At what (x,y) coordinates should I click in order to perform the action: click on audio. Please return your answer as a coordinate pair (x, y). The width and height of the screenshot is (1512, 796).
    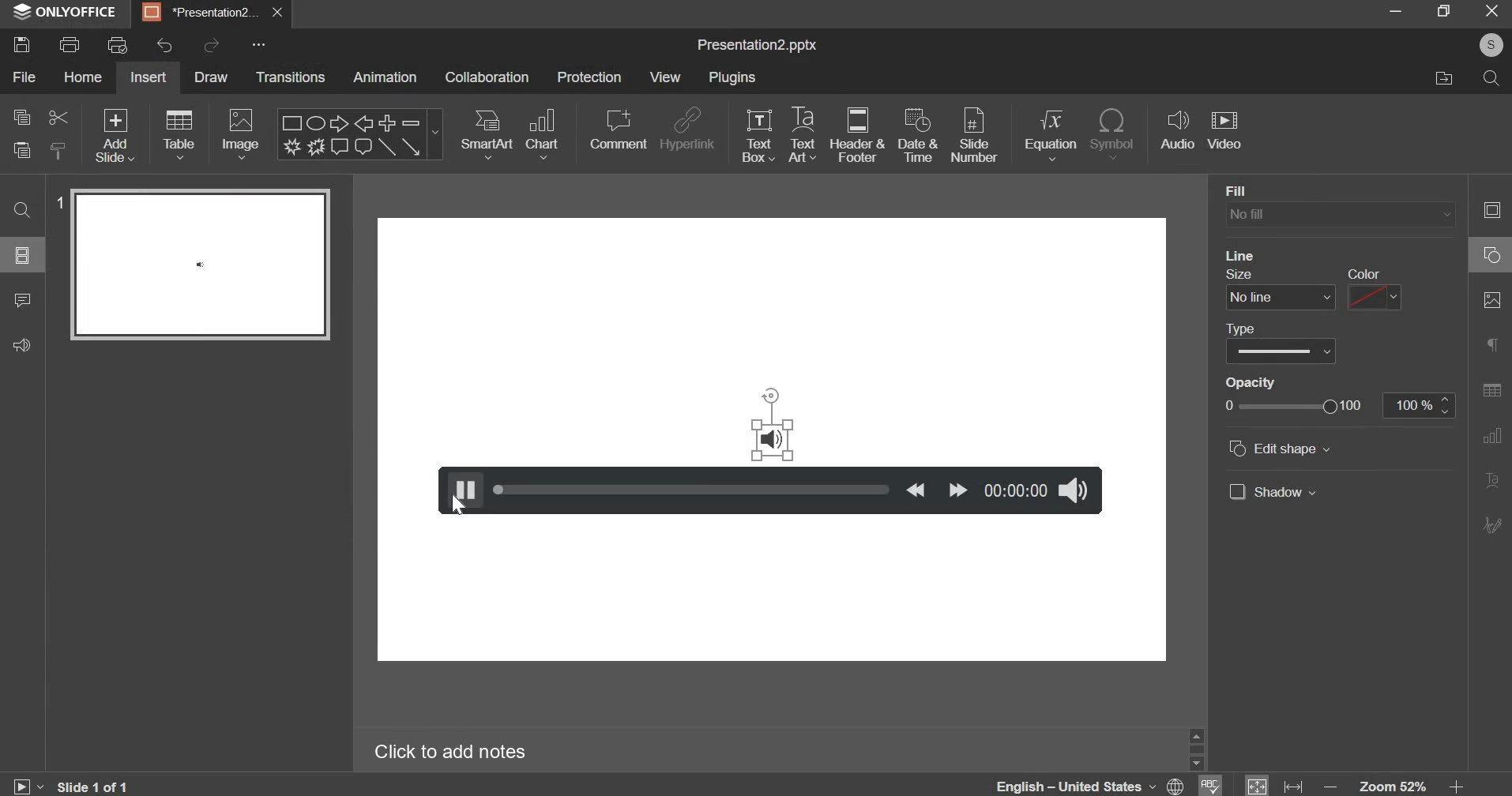
    Looking at the image, I should click on (773, 440).